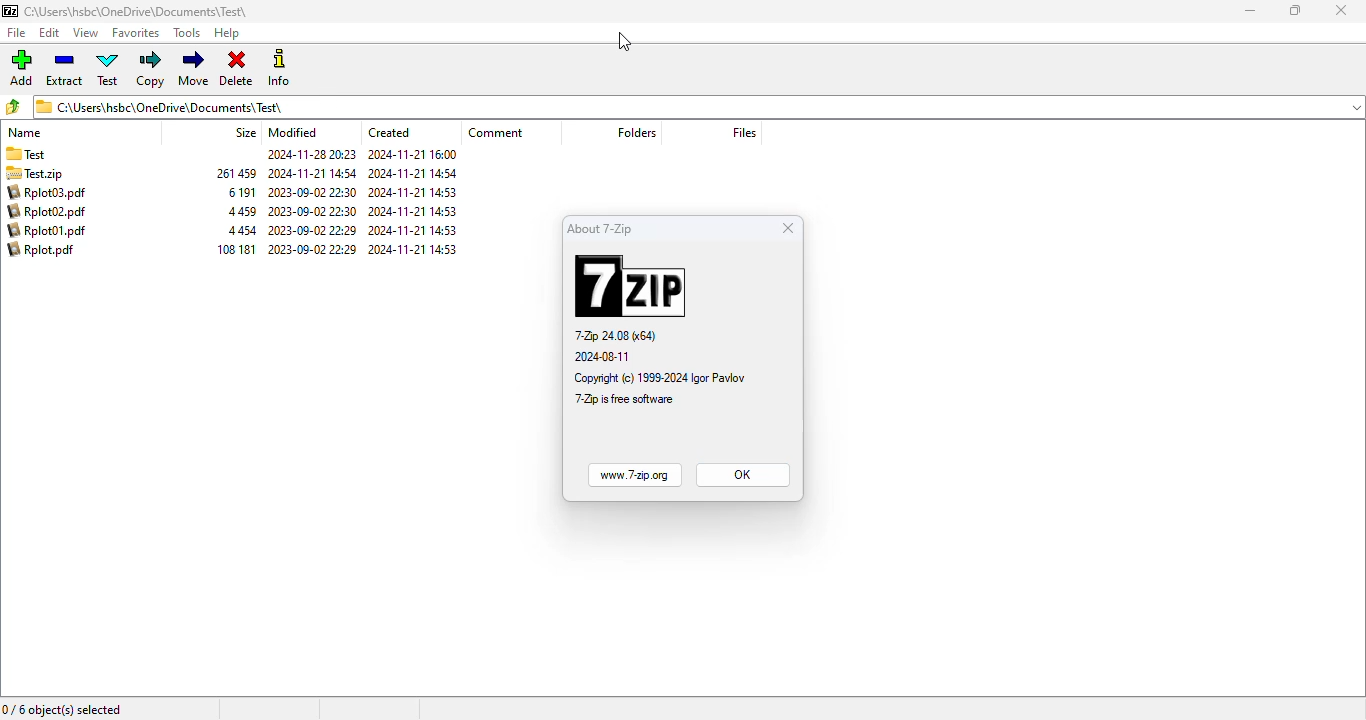  What do you see at coordinates (417, 250) in the screenshot?
I see `2024-11-21 14:53` at bounding box center [417, 250].